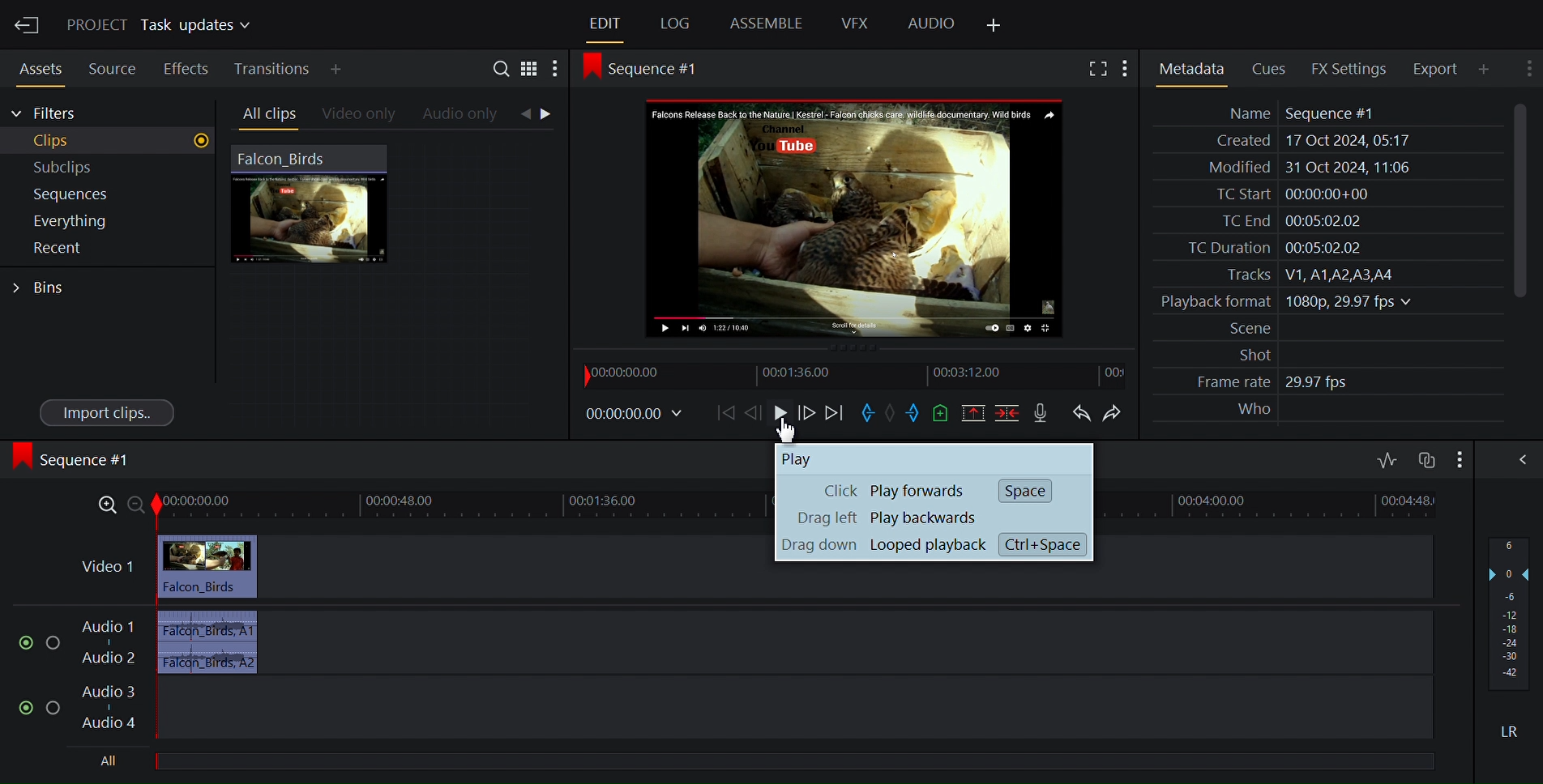 This screenshot has width=1543, height=784. What do you see at coordinates (1434, 69) in the screenshot?
I see `Export` at bounding box center [1434, 69].